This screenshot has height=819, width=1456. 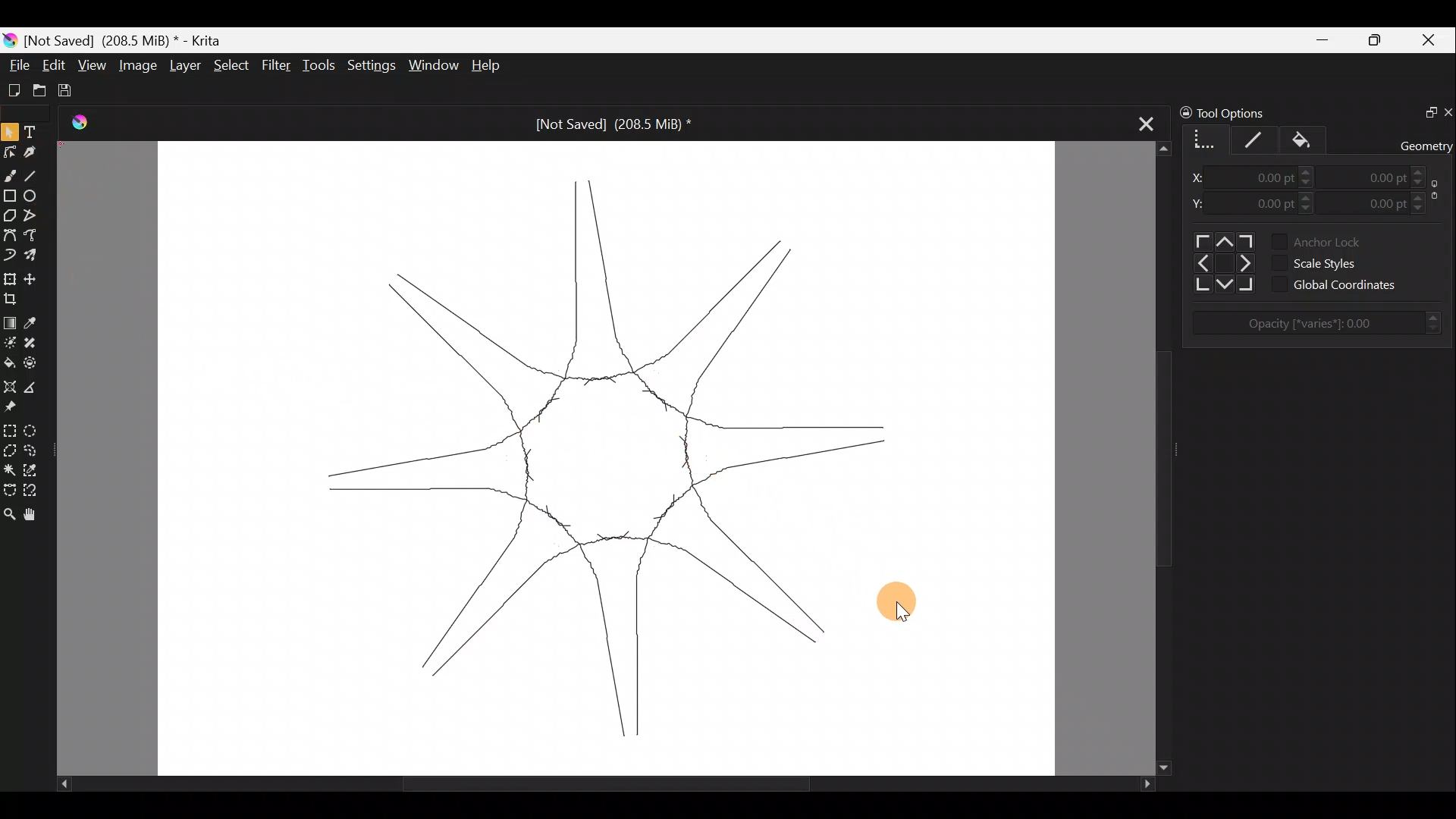 I want to click on Select, so click(x=232, y=65).